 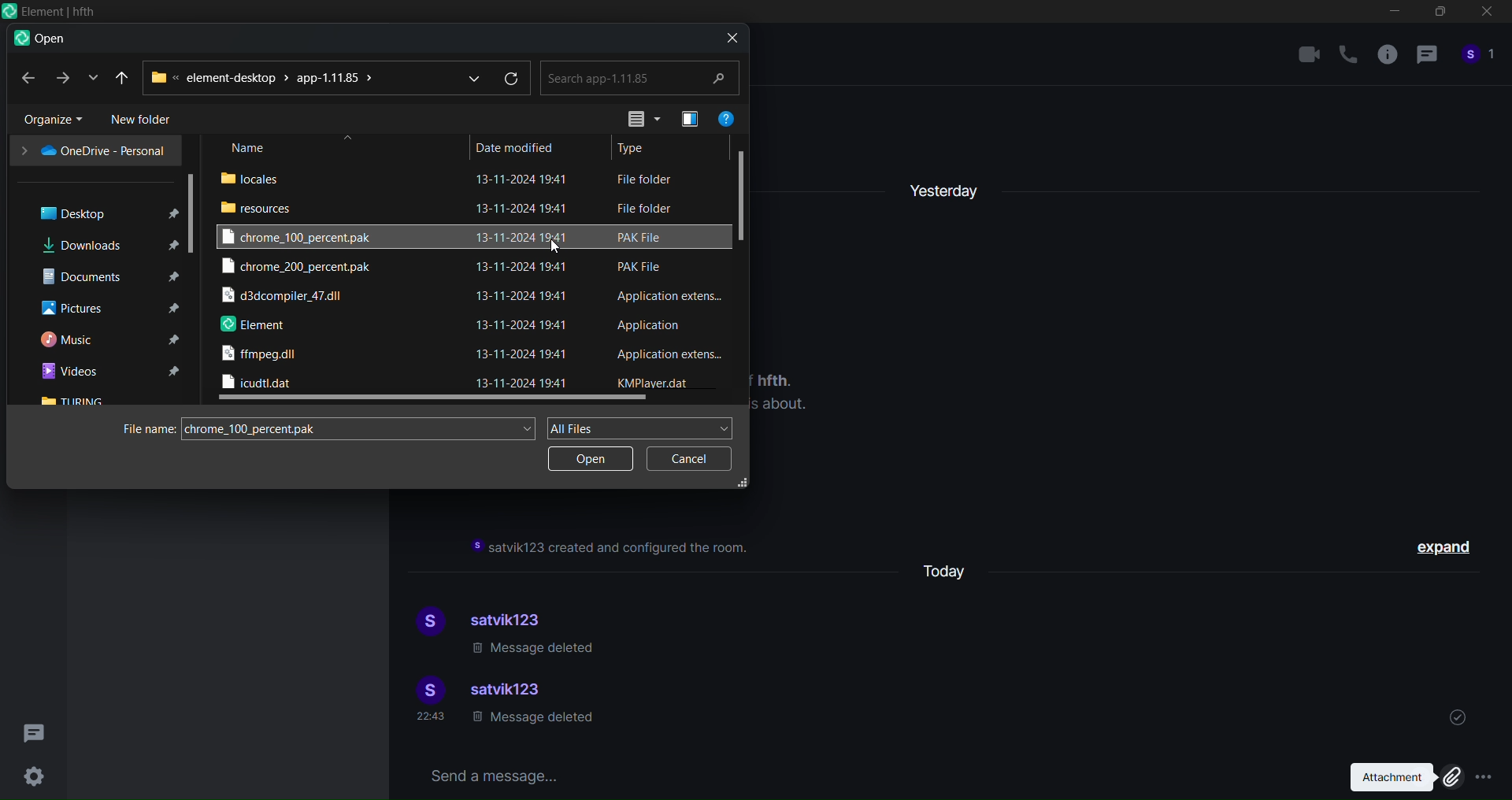 I want to click on thread, so click(x=1426, y=57).